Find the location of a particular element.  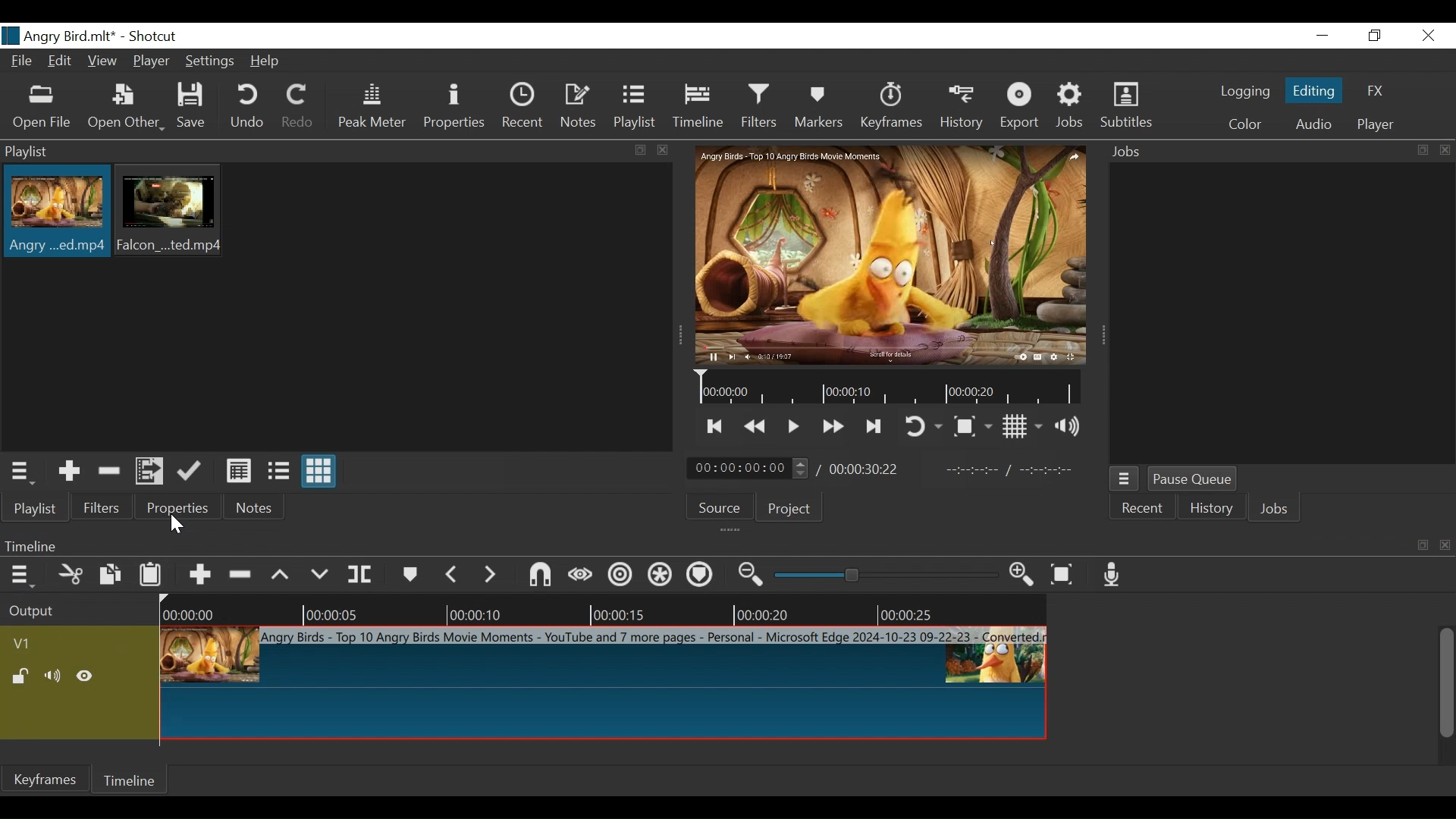

Properties is located at coordinates (180, 508).